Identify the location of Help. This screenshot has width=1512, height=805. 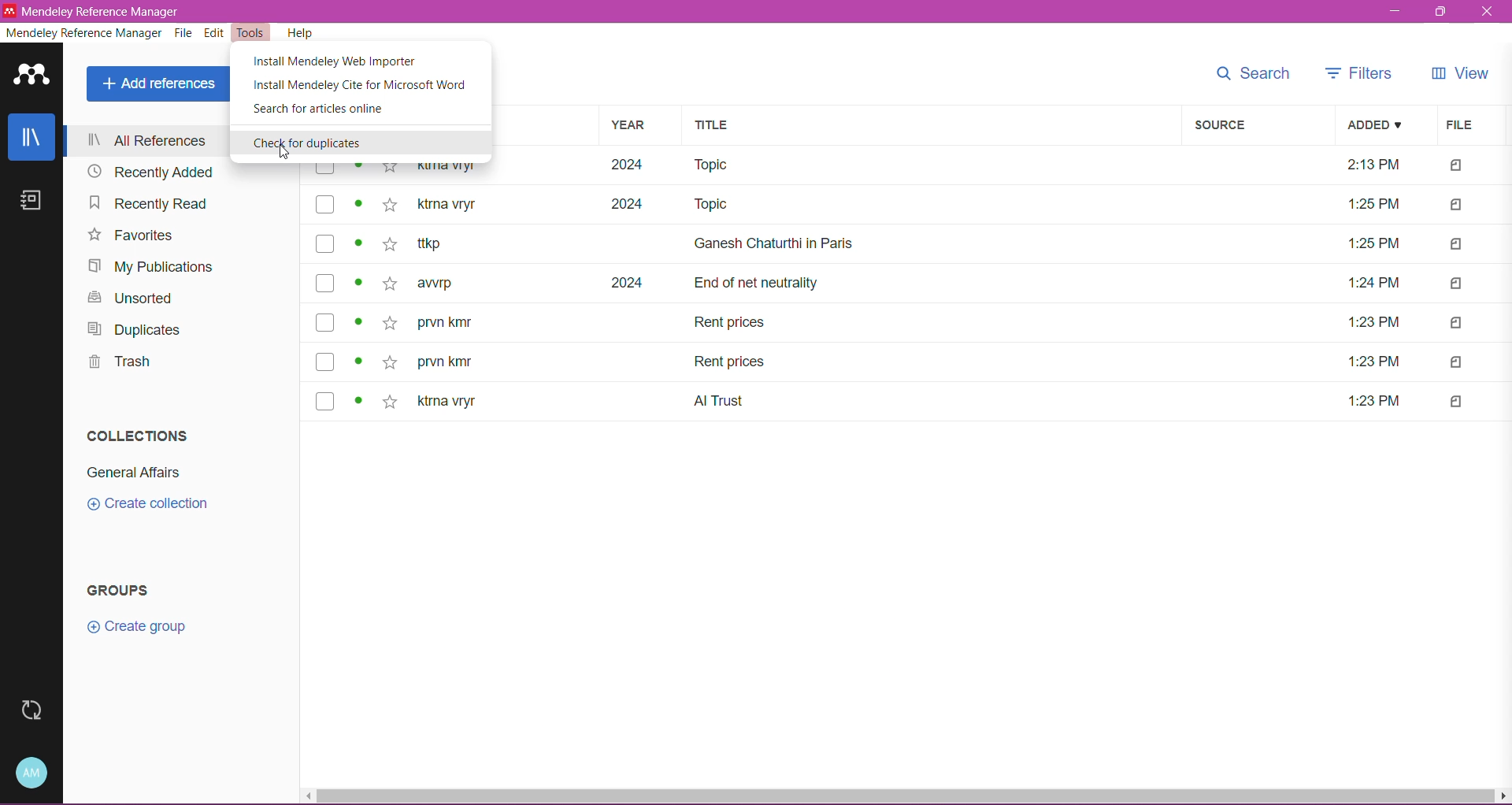
(302, 35).